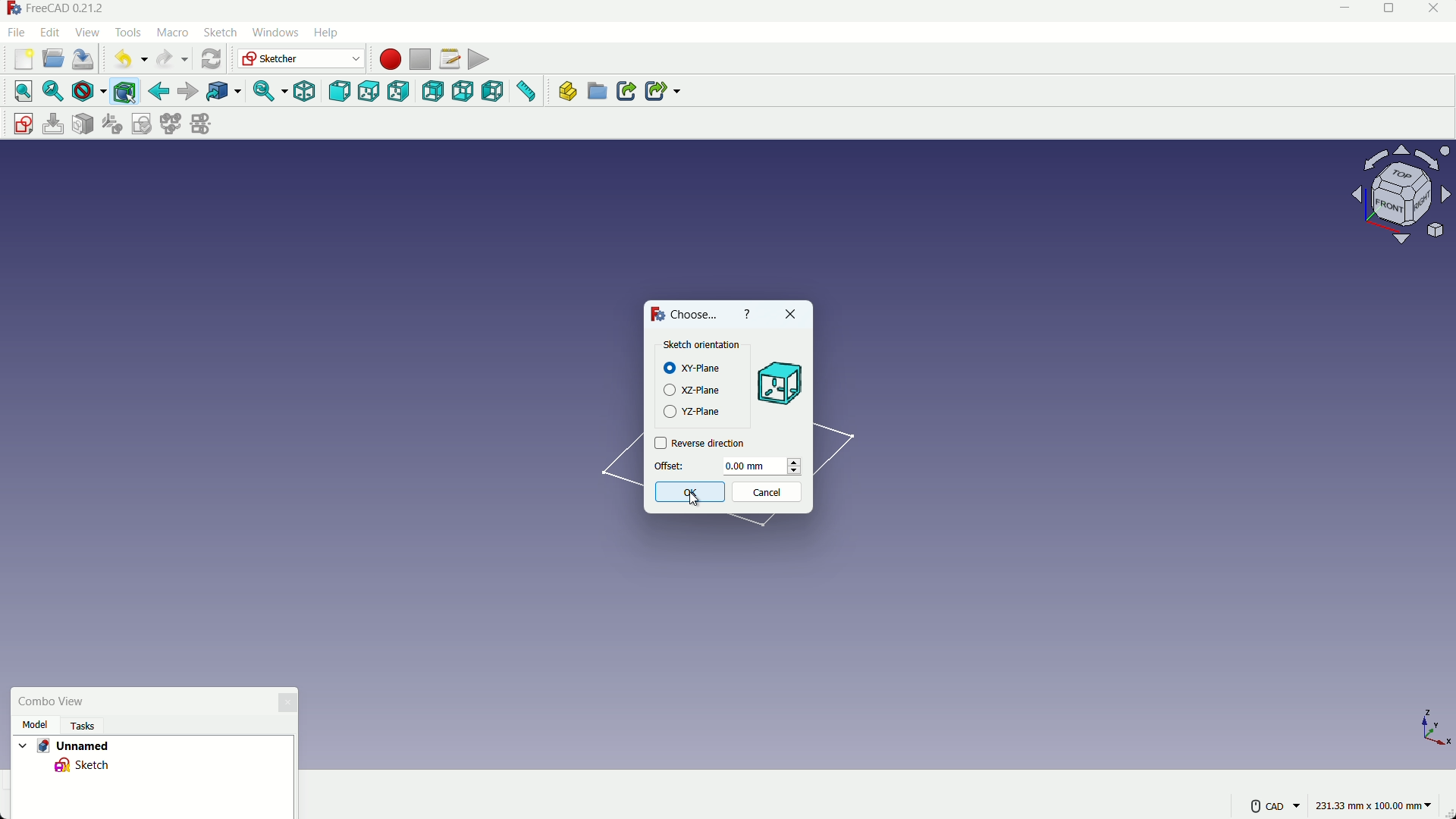  I want to click on sketch, so click(87, 767).